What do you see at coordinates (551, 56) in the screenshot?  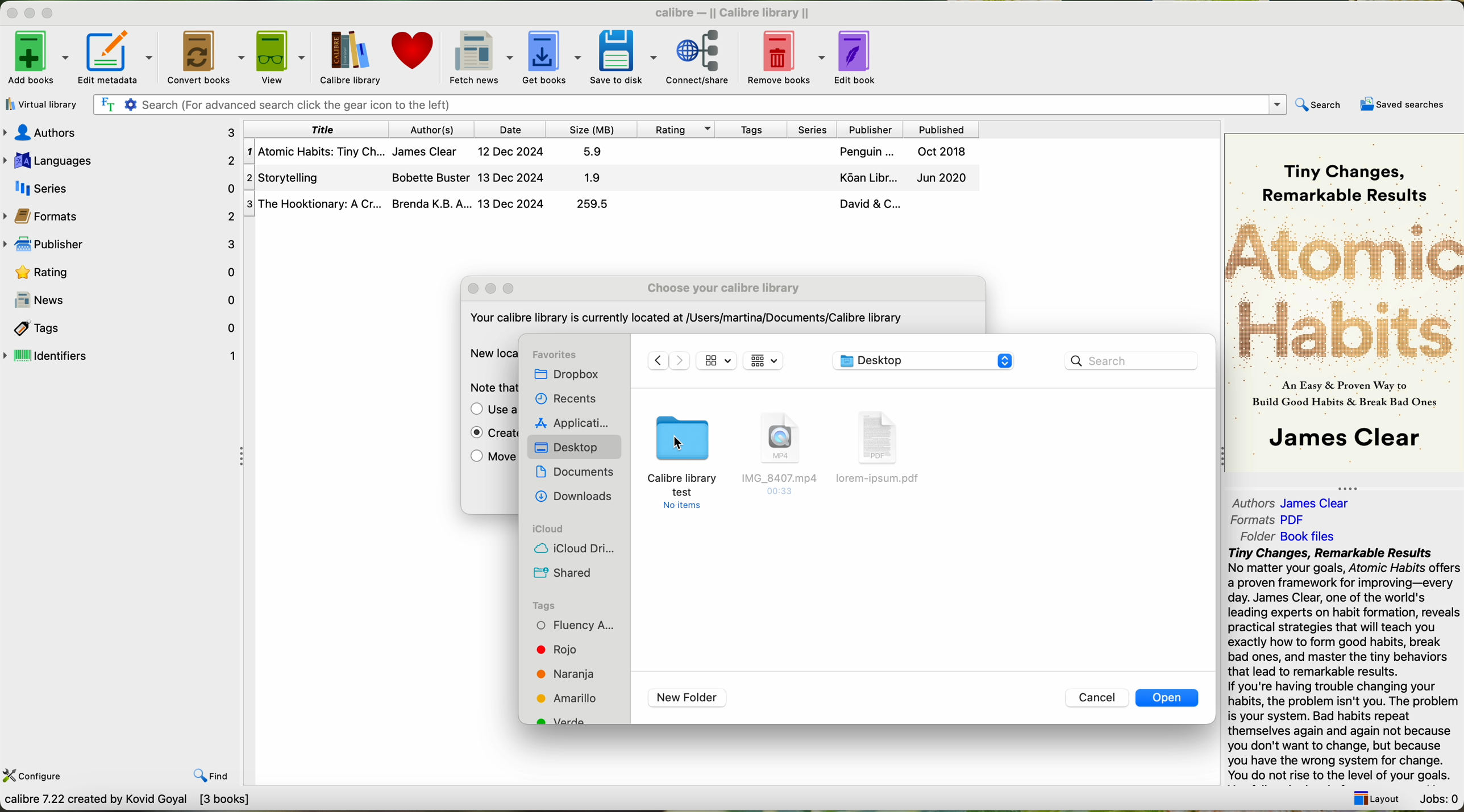 I see `get books` at bounding box center [551, 56].